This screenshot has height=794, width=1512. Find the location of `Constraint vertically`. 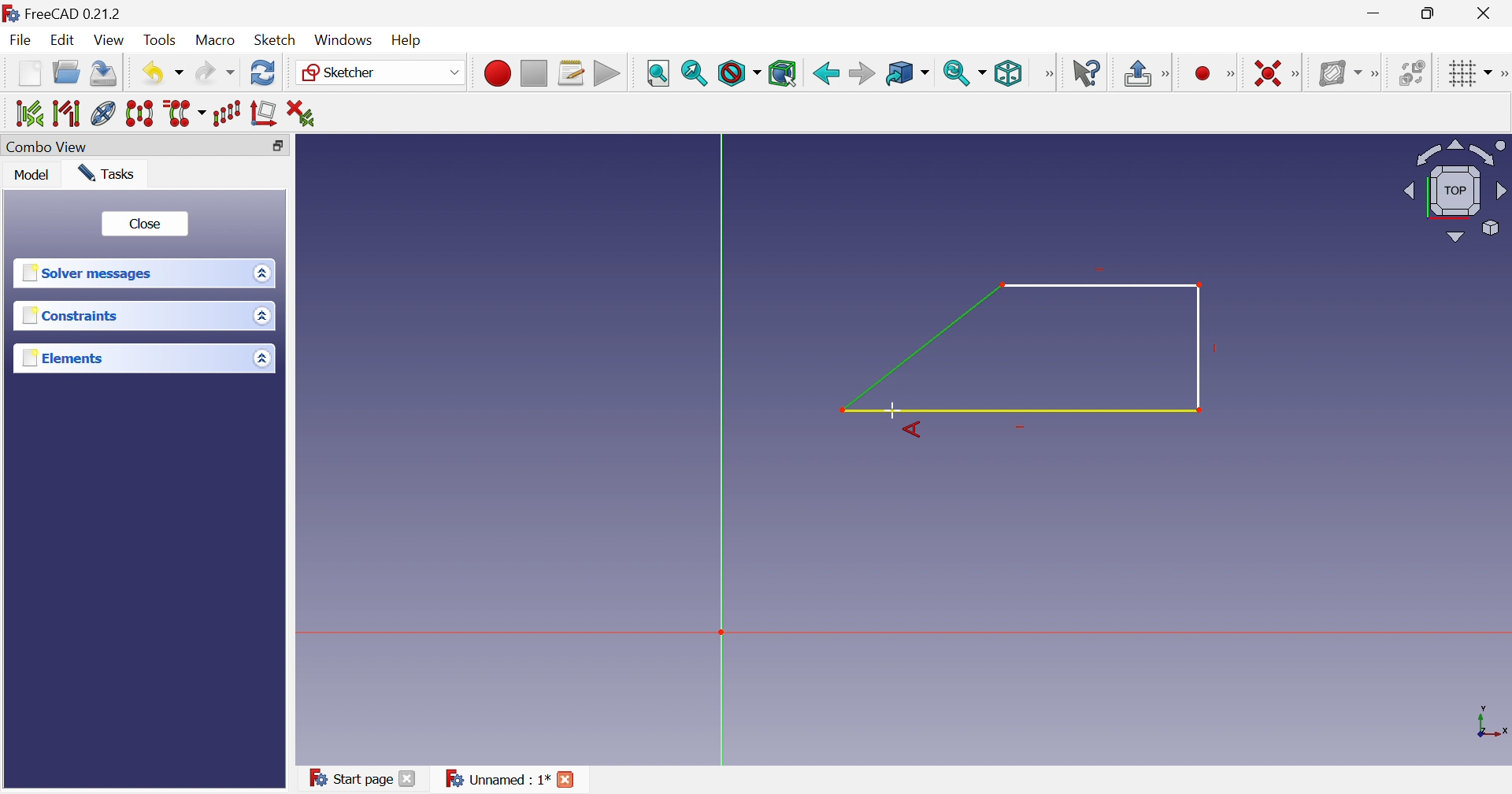

Constraint vertically is located at coordinates (1207, 72).